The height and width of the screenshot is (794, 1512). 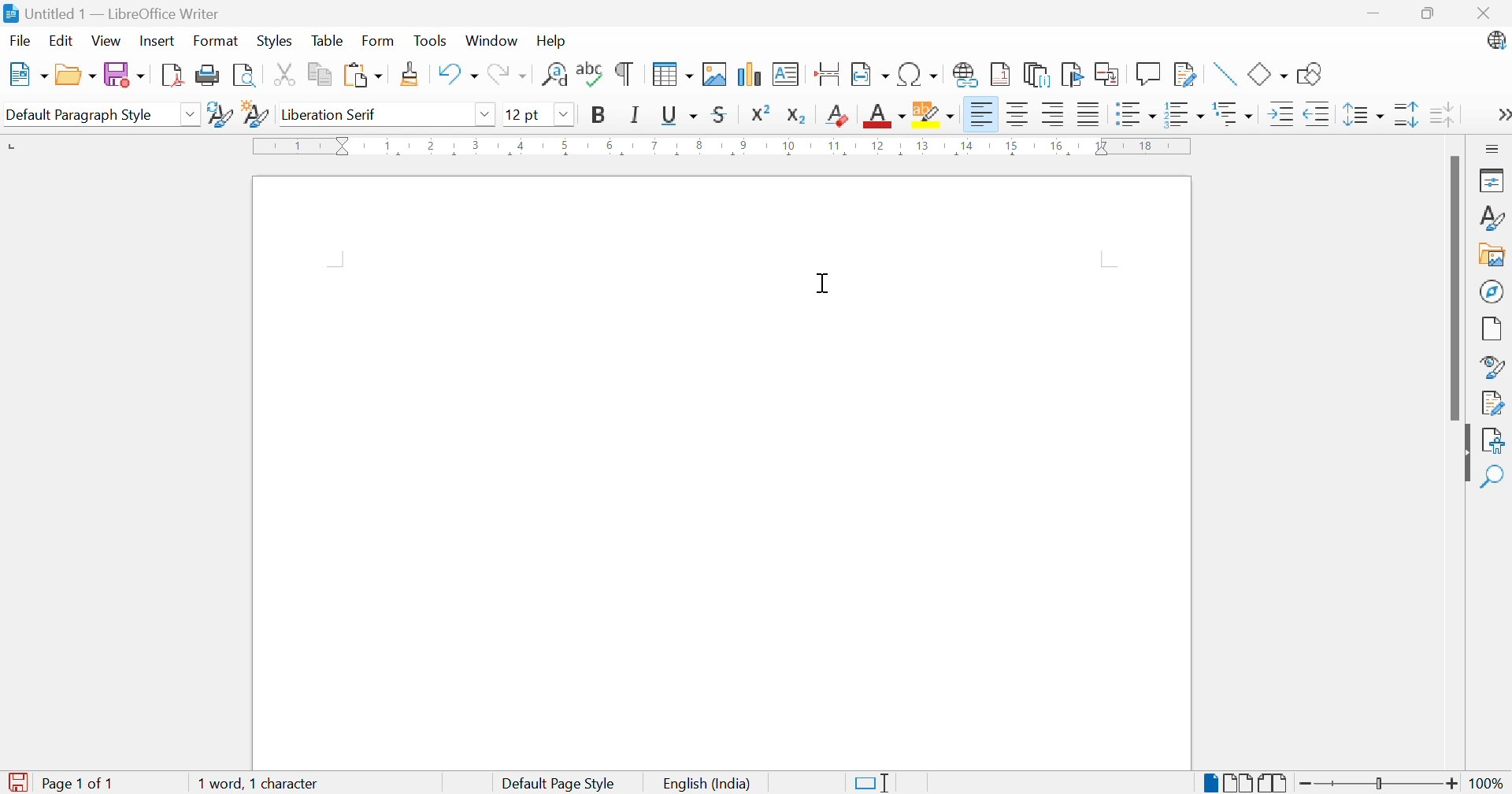 What do you see at coordinates (1494, 402) in the screenshot?
I see `Manage Changes` at bounding box center [1494, 402].